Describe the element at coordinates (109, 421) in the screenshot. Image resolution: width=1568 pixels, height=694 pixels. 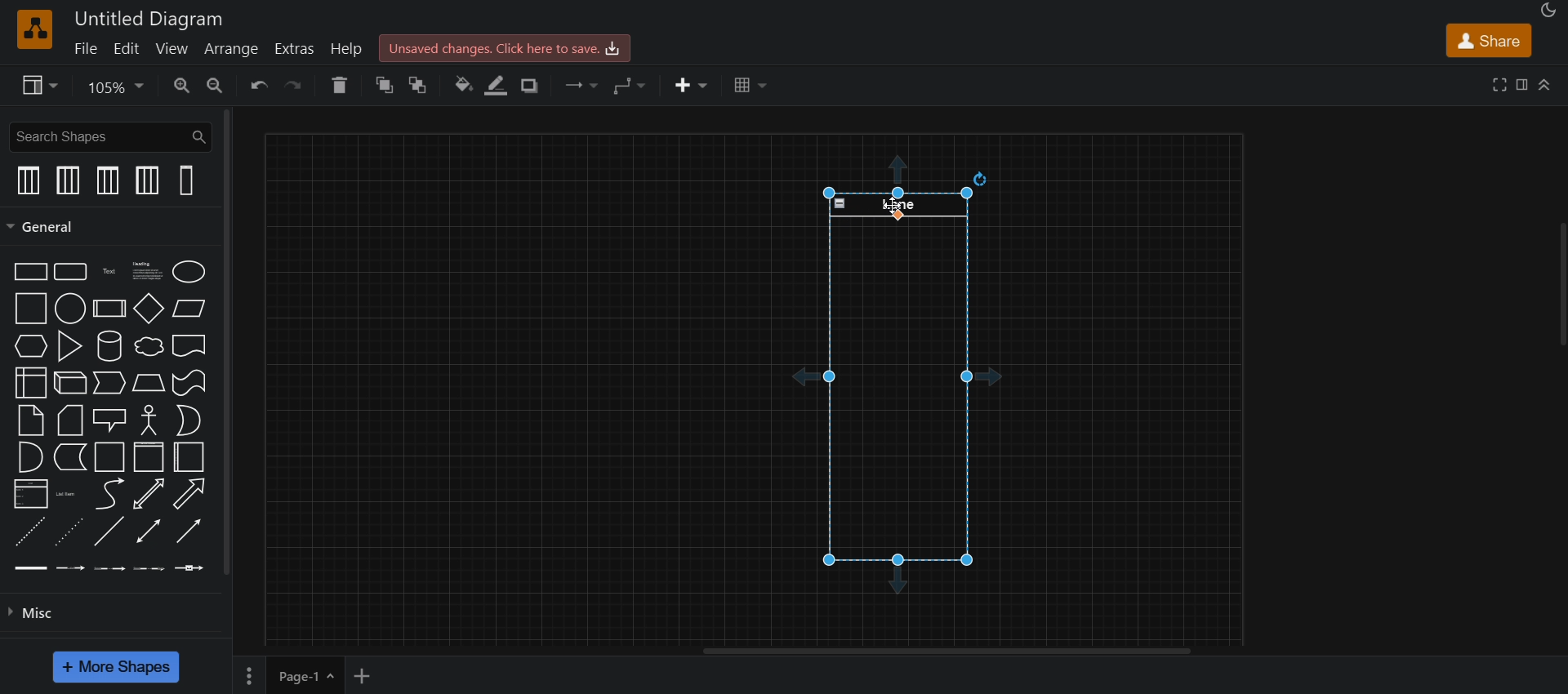
I see `callout` at that location.